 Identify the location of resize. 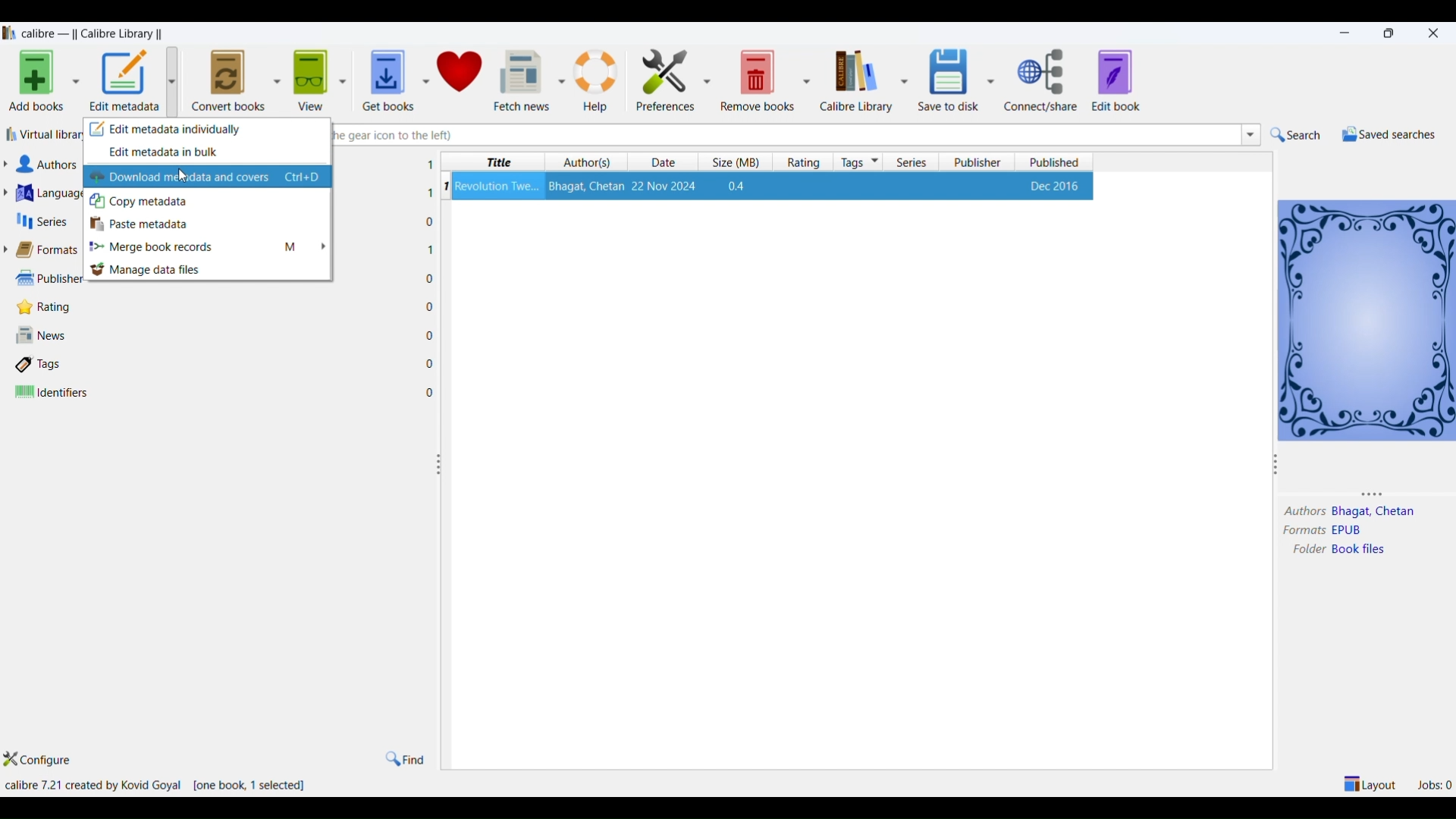
(1276, 467).